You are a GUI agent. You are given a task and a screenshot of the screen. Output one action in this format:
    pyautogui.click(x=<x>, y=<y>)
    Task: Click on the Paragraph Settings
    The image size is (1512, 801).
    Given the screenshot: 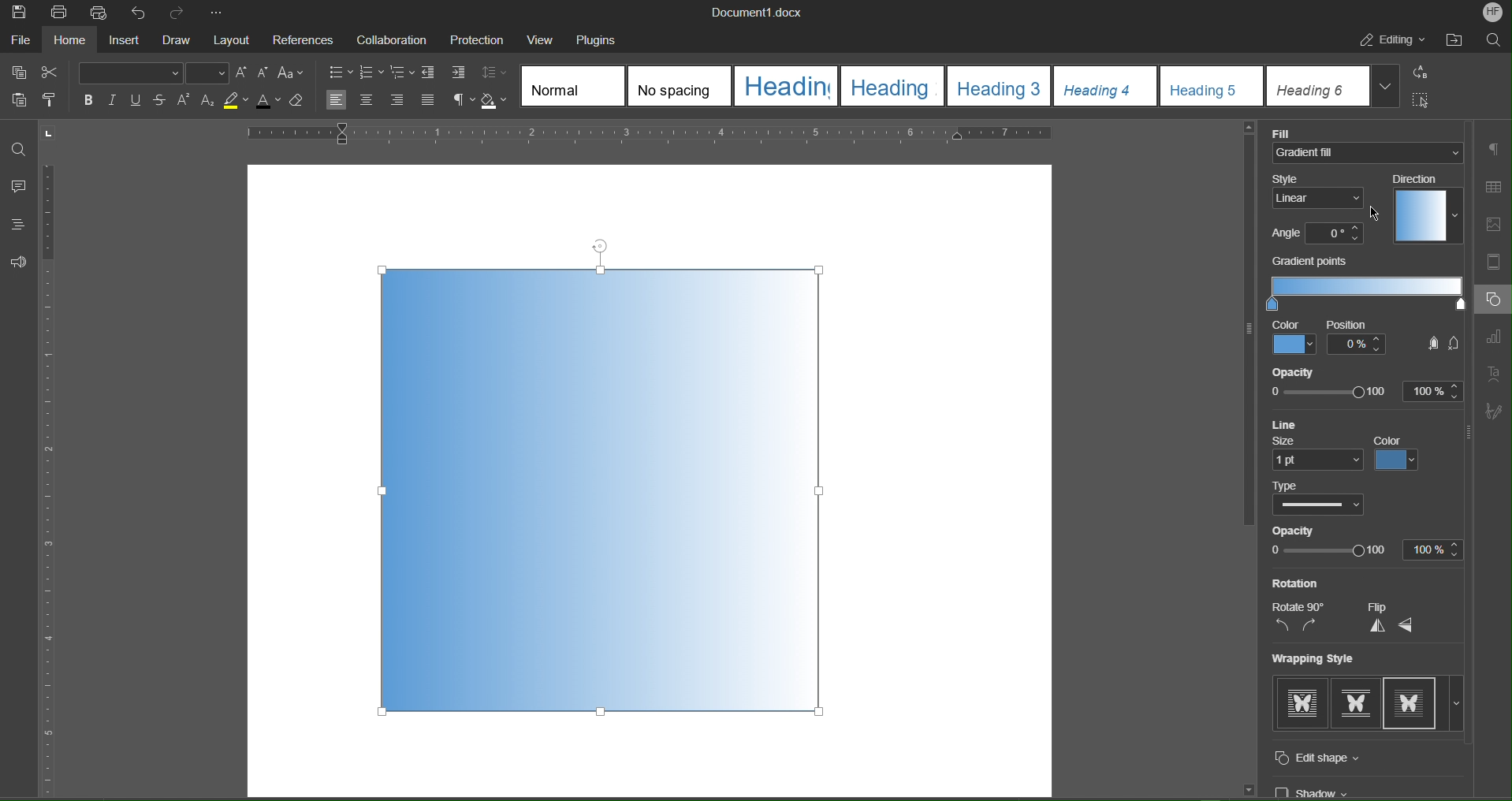 What is the action you would take?
    pyautogui.click(x=1495, y=149)
    